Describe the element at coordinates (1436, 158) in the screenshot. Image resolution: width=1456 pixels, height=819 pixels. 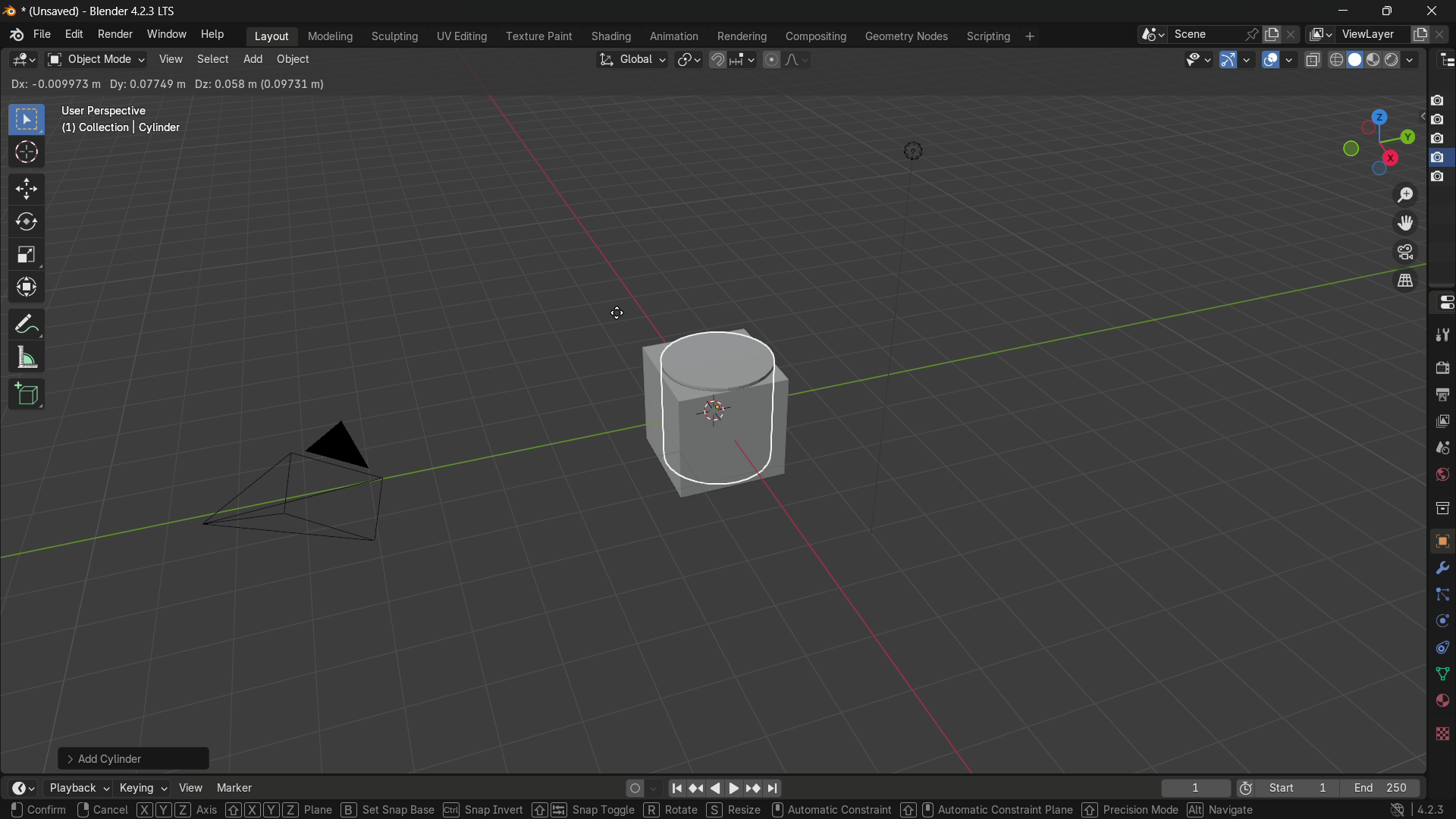
I see `capture` at that location.